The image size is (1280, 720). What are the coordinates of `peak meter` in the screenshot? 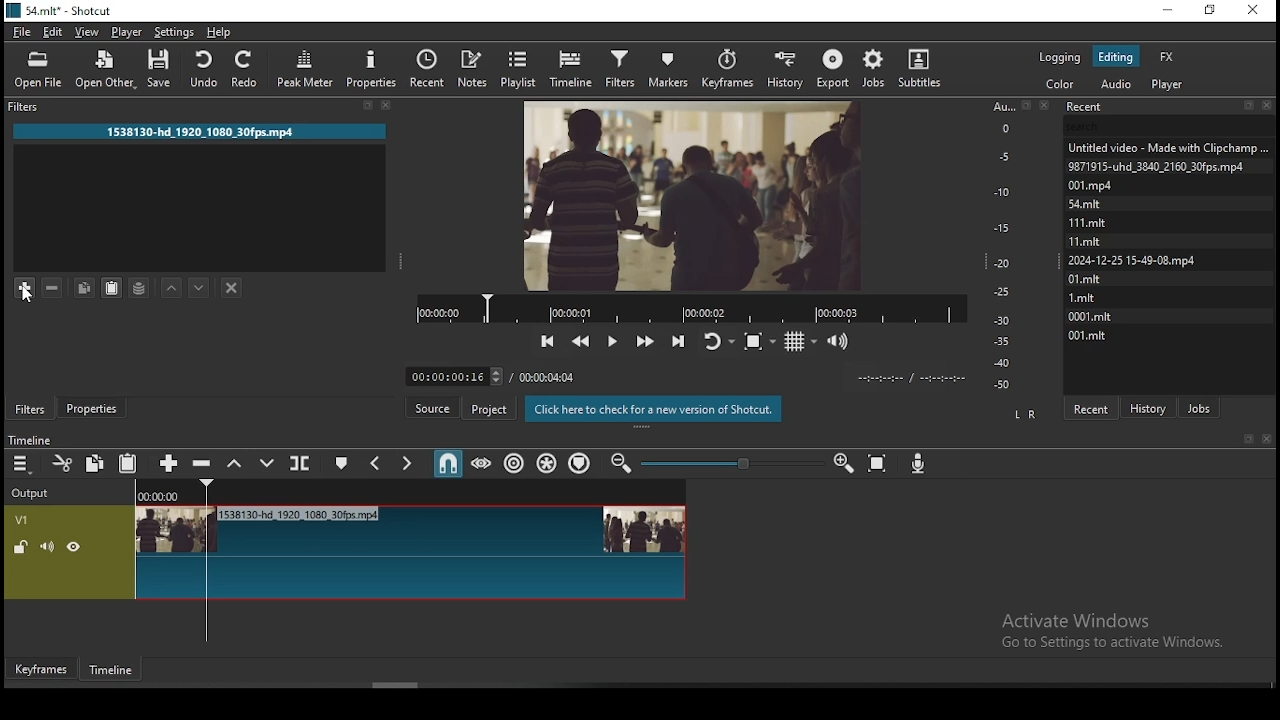 It's located at (303, 68).